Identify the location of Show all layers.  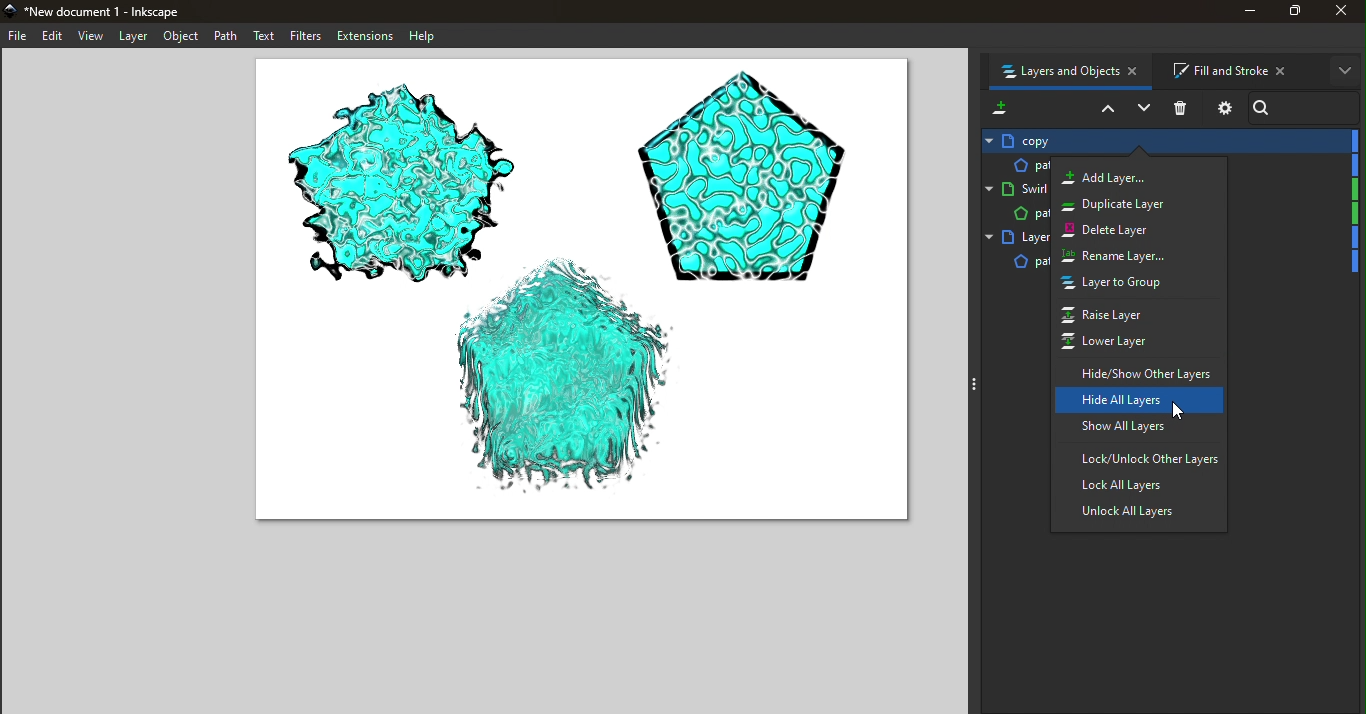
(1145, 429).